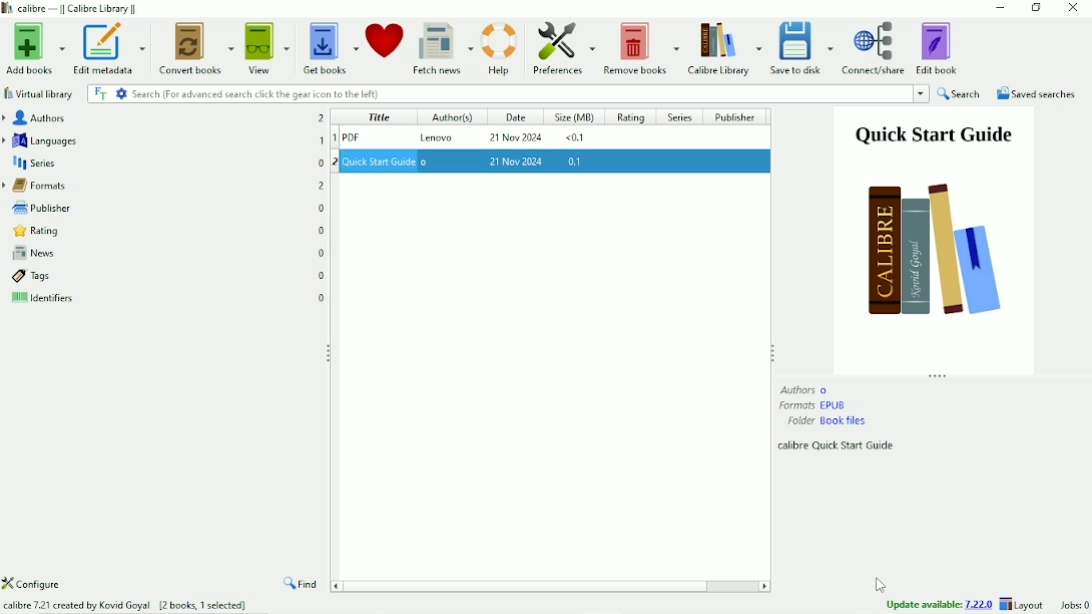  I want to click on Publisher, so click(740, 117).